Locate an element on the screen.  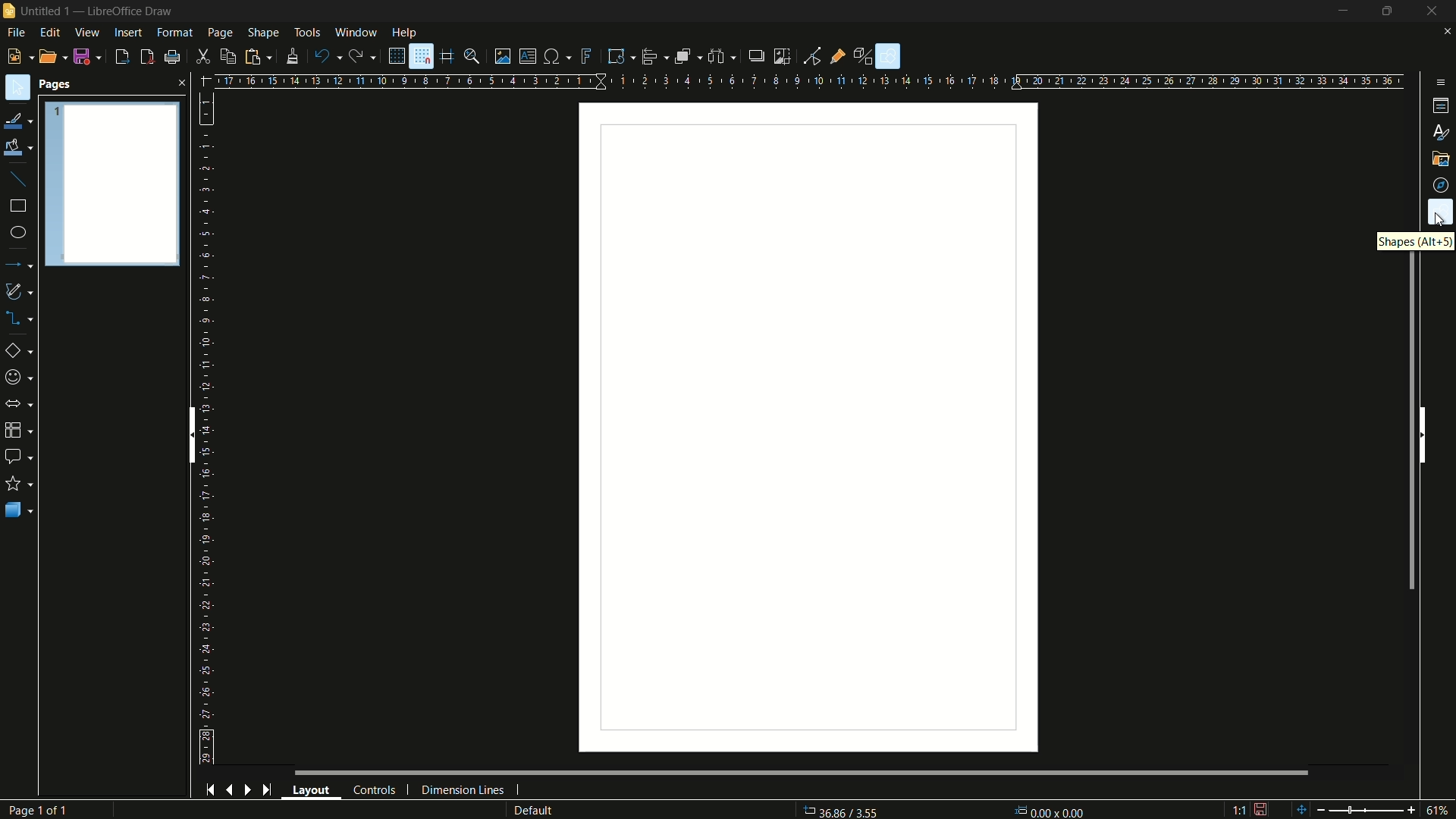
redo is located at coordinates (362, 55).